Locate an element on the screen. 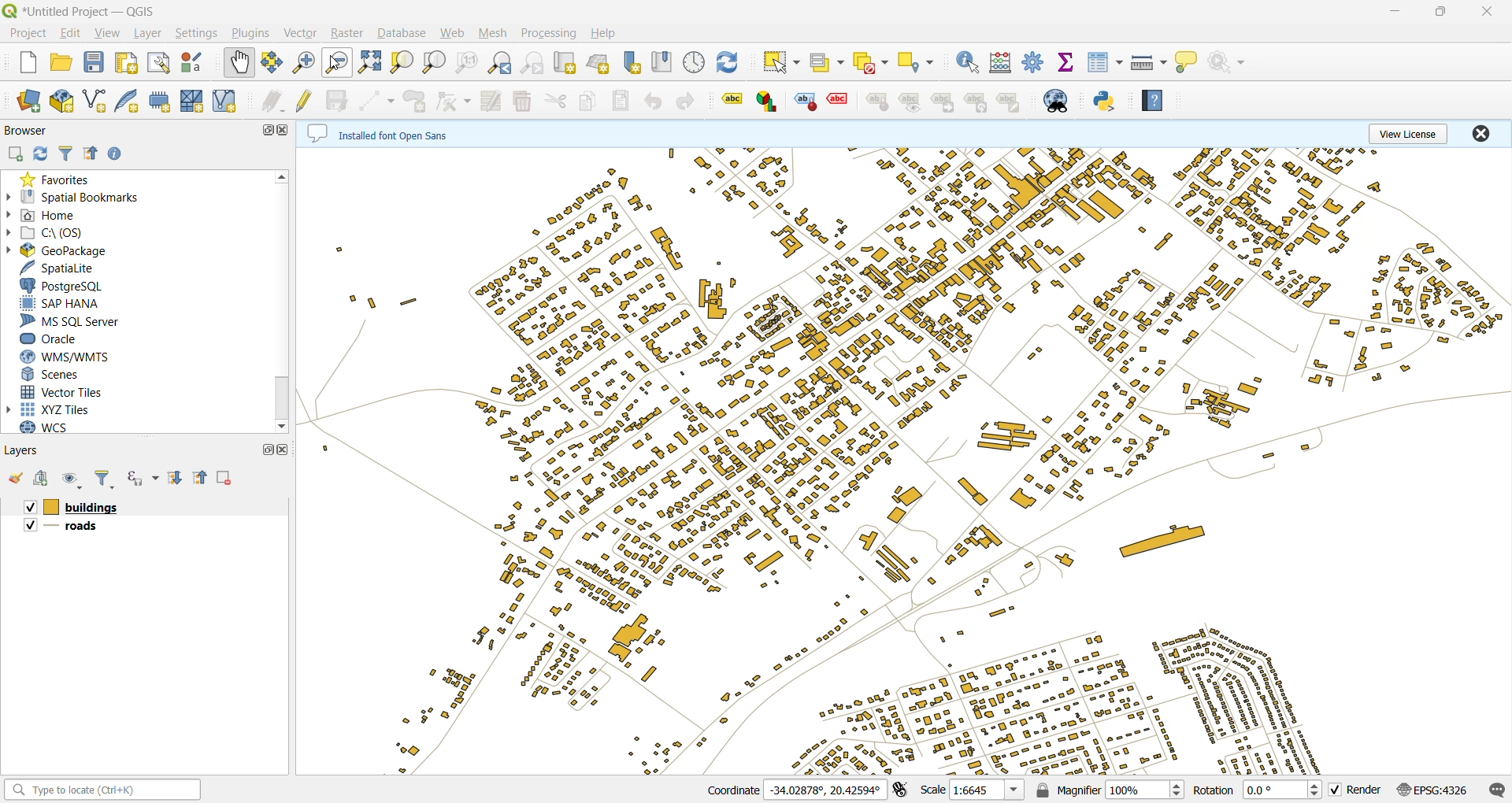 This screenshot has width=1512, height=803. open data source manager is located at coordinates (28, 102).